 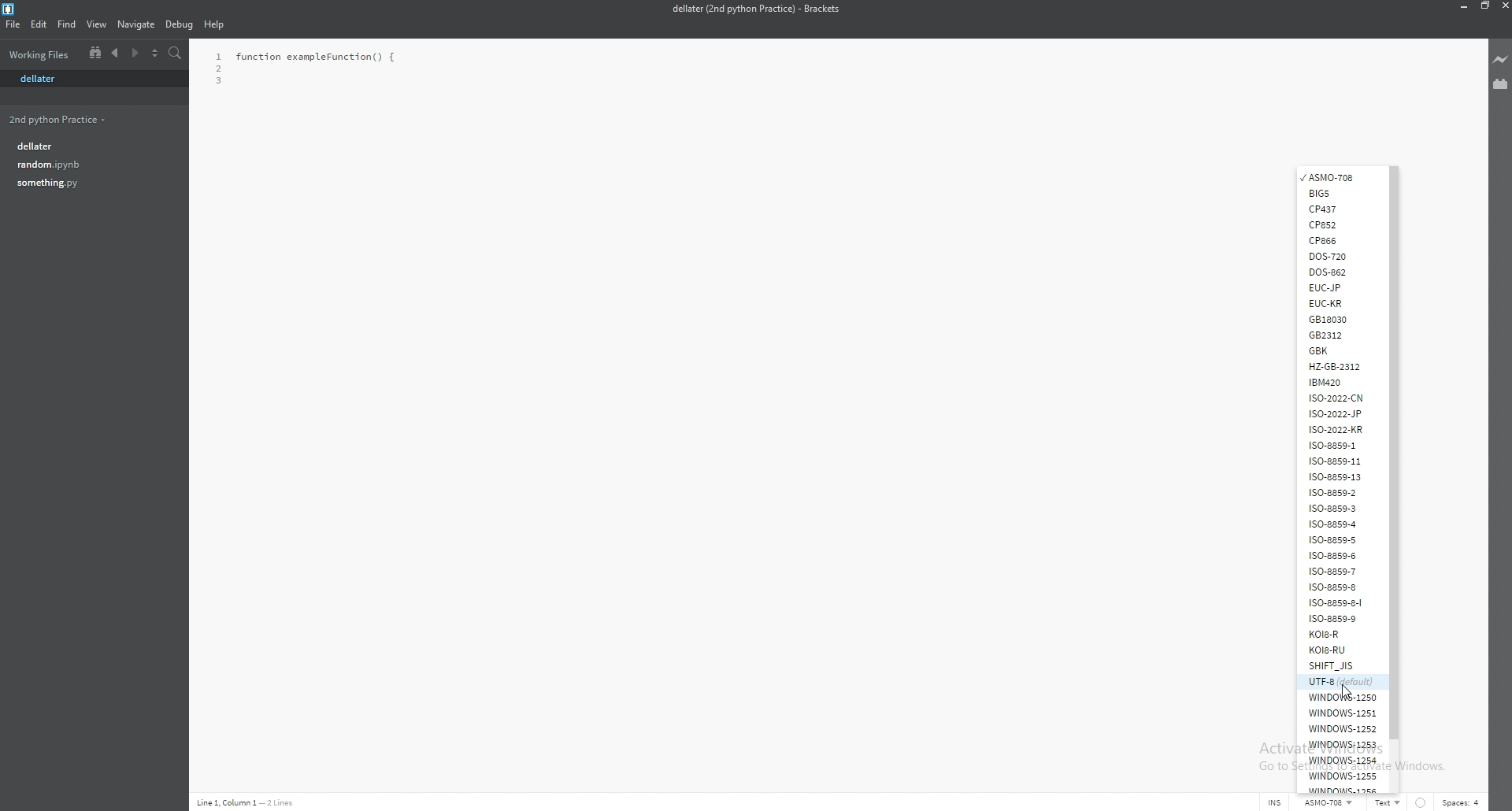 I want to click on search, so click(x=176, y=54).